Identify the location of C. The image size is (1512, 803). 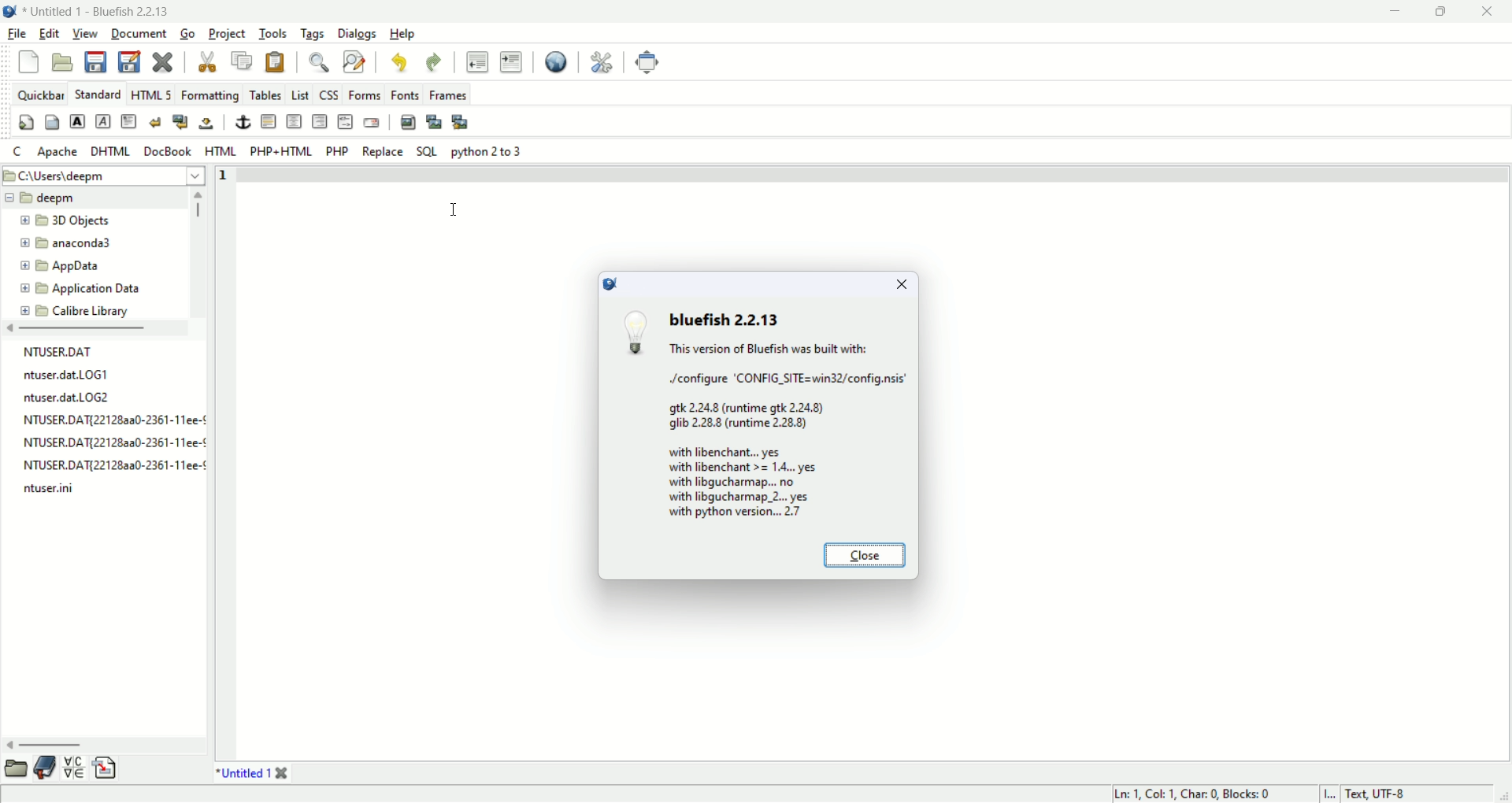
(20, 152).